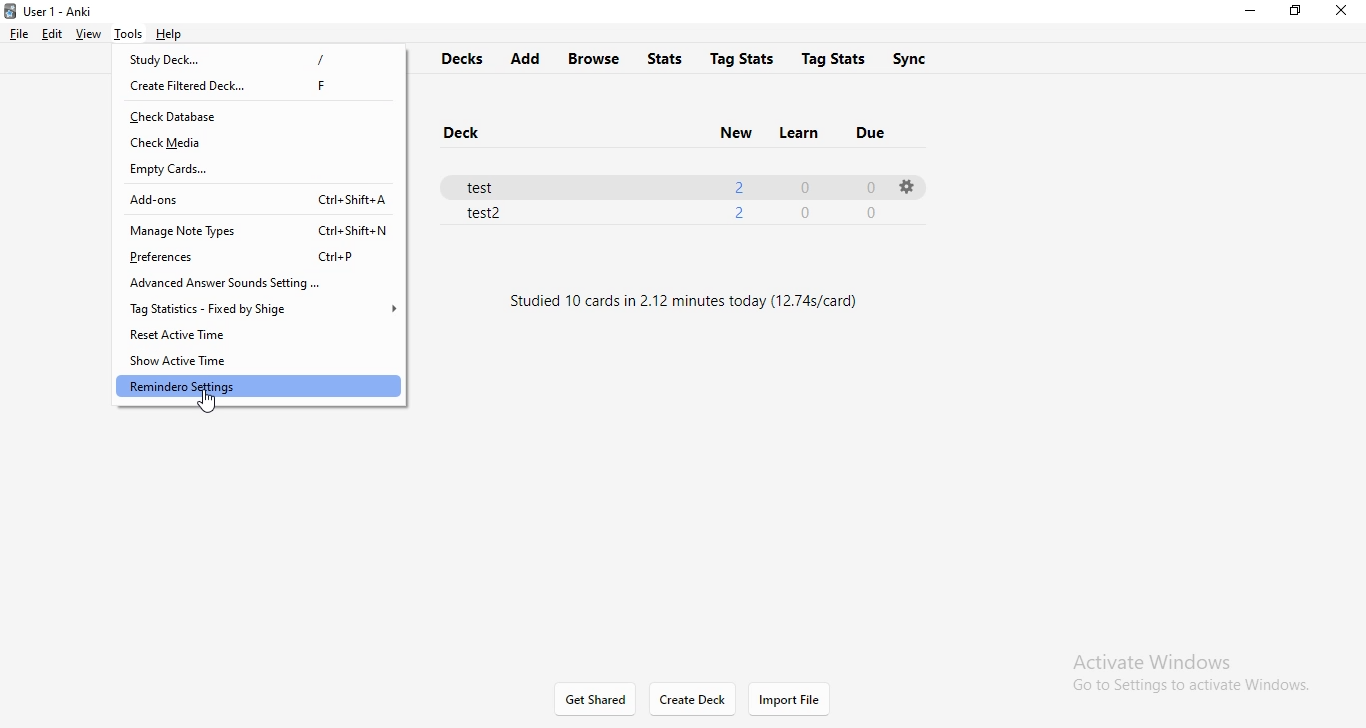 The width and height of the screenshot is (1366, 728). What do you see at coordinates (836, 56) in the screenshot?
I see `tags stats` at bounding box center [836, 56].